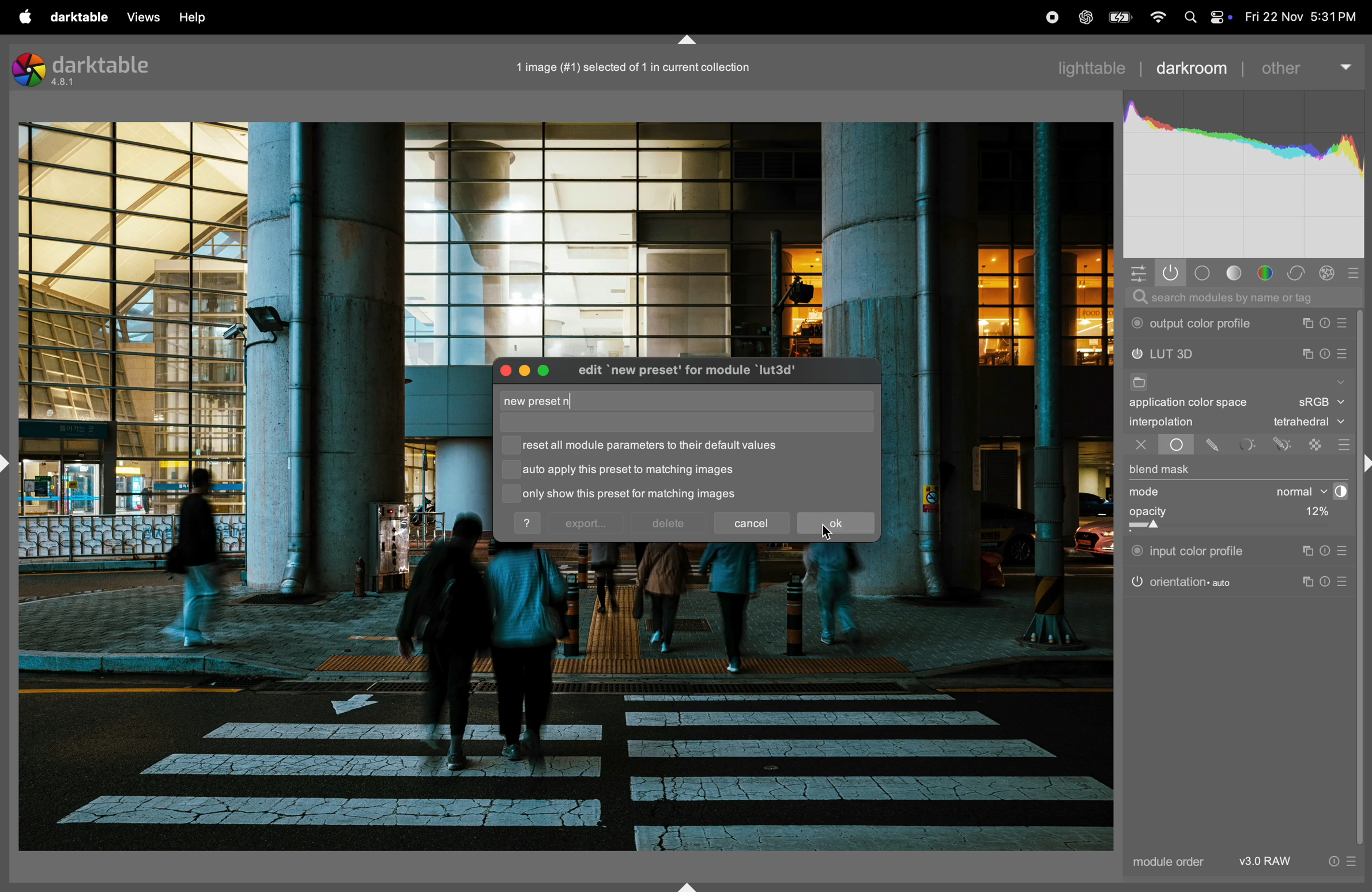 Image resolution: width=1372 pixels, height=892 pixels. What do you see at coordinates (1248, 444) in the screenshot?
I see `parametric mask` at bounding box center [1248, 444].